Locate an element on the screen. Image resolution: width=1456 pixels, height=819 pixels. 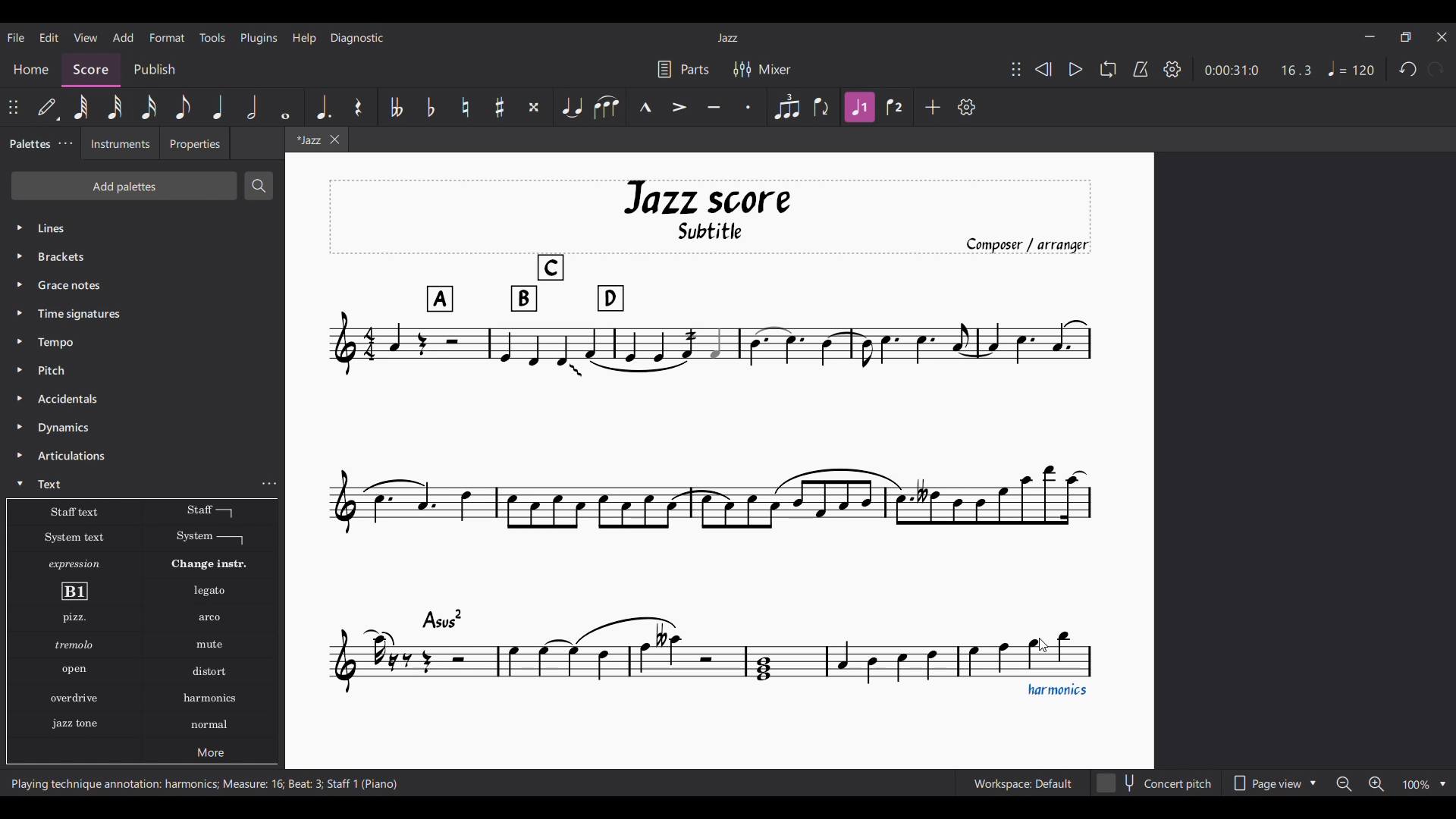
Tuplet is located at coordinates (786, 107).